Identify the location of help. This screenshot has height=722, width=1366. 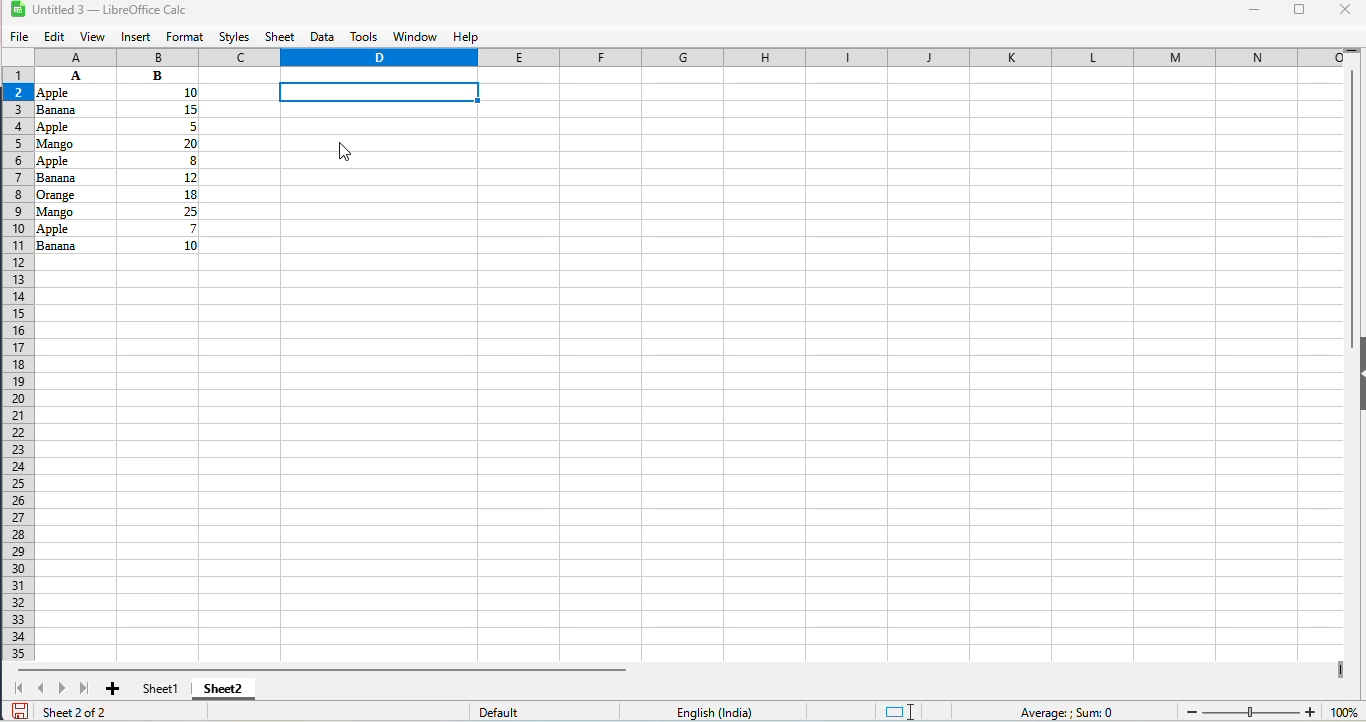
(466, 38).